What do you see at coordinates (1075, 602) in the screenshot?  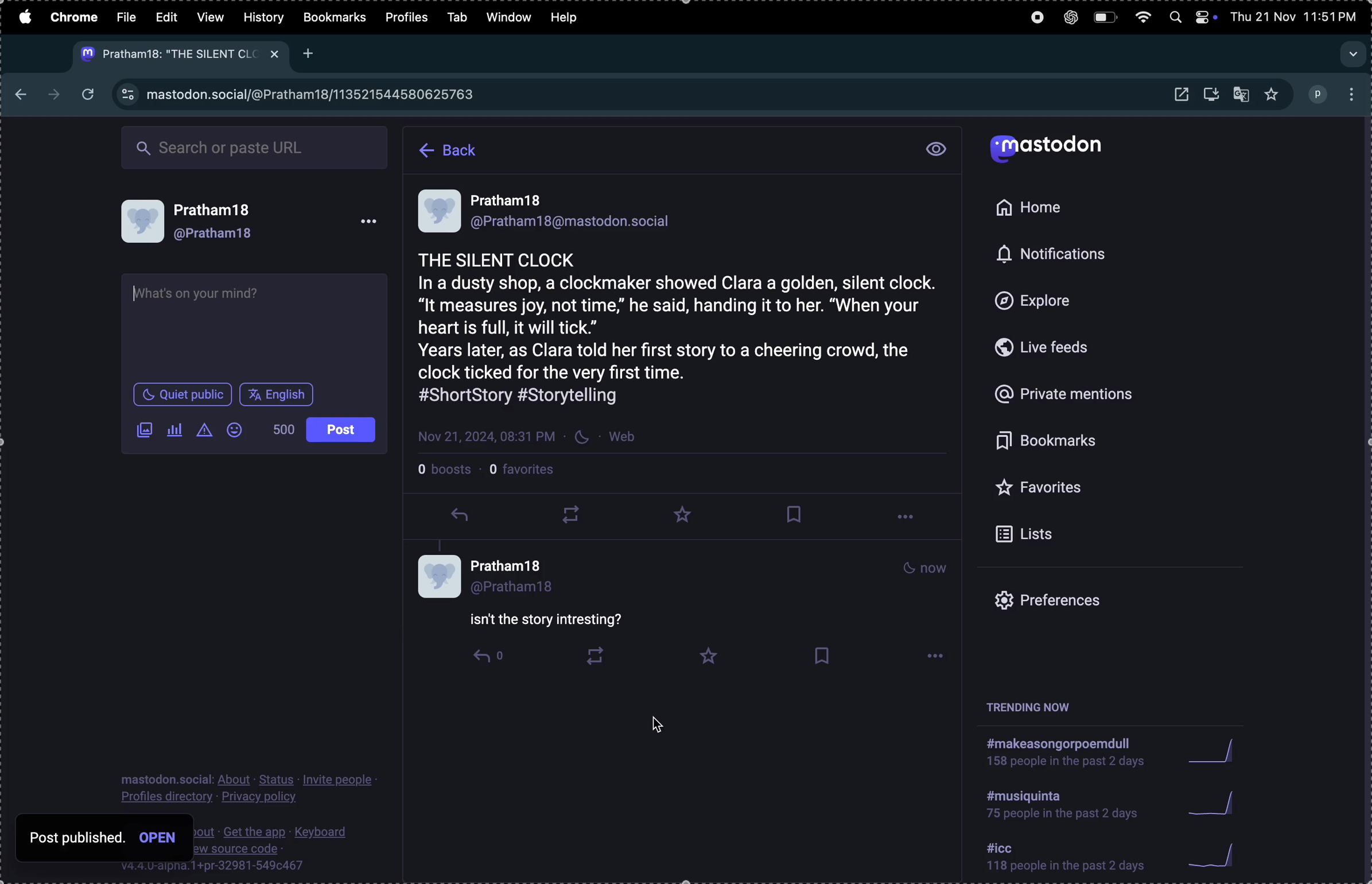 I see `prefrences` at bounding box center [1075, 602].